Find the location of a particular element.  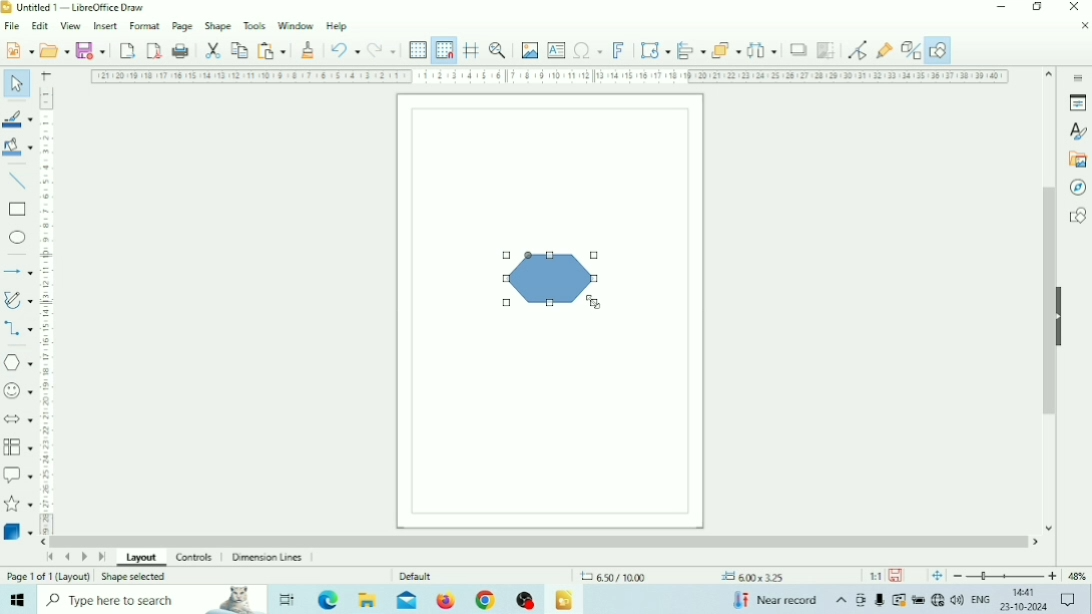

Styles is located at coordinates (1077, 132).